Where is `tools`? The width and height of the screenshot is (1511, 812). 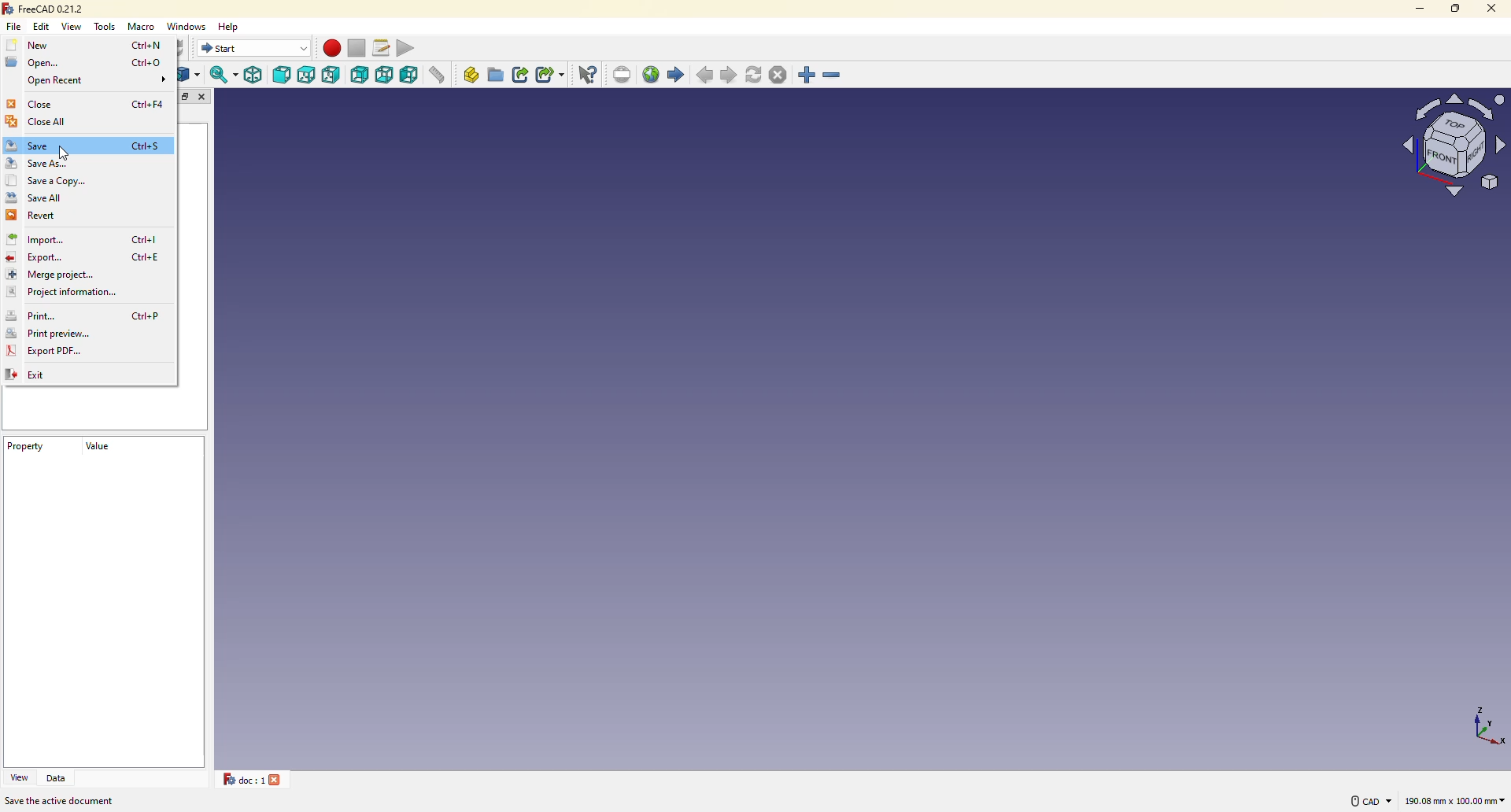
tools is located at coordinates (106, 27).